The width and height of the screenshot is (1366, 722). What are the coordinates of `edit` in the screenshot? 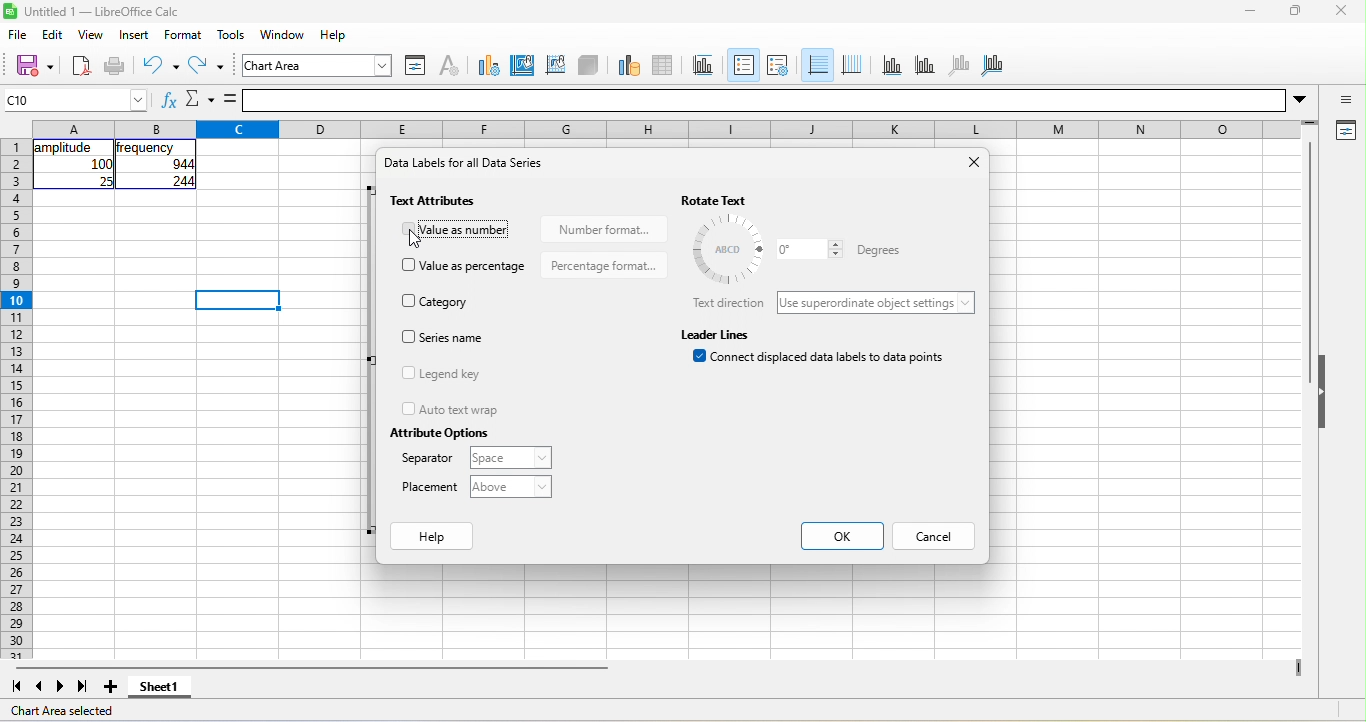 It's located at (56, 34).